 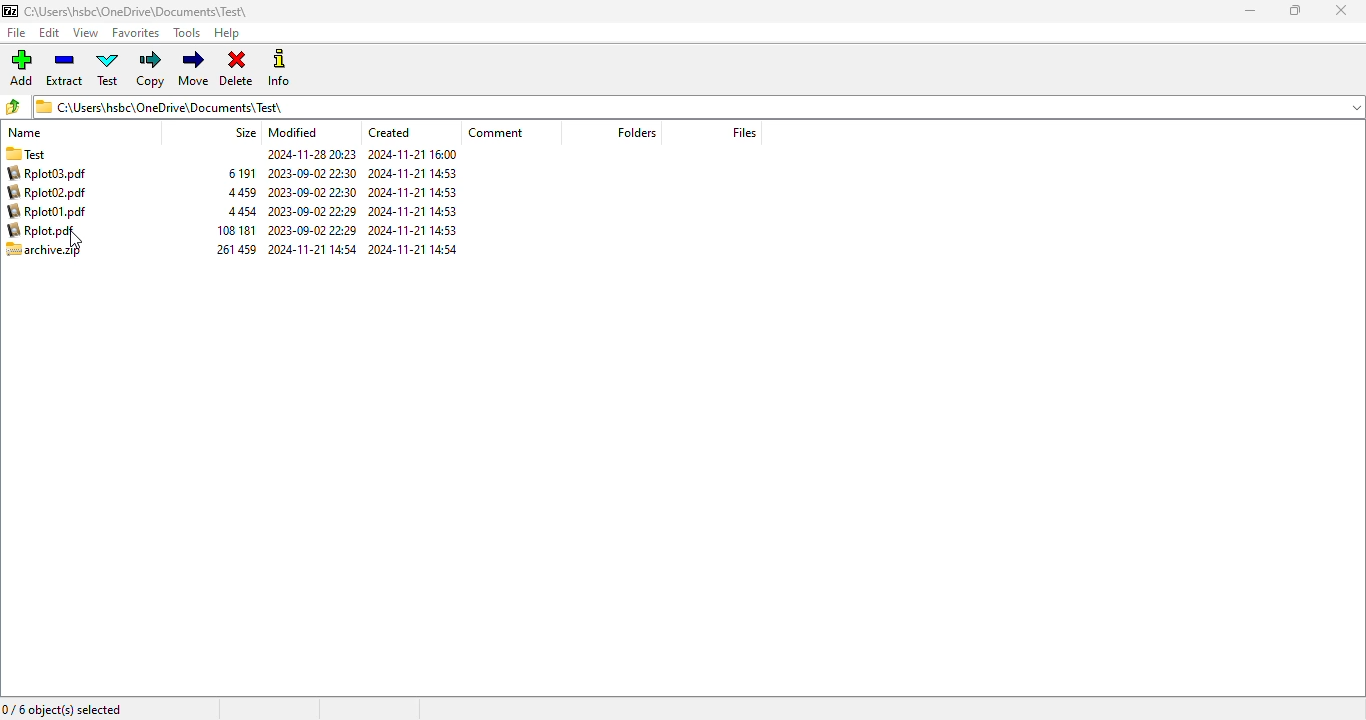 I want to click on current folder, so click(x=137, y=11).